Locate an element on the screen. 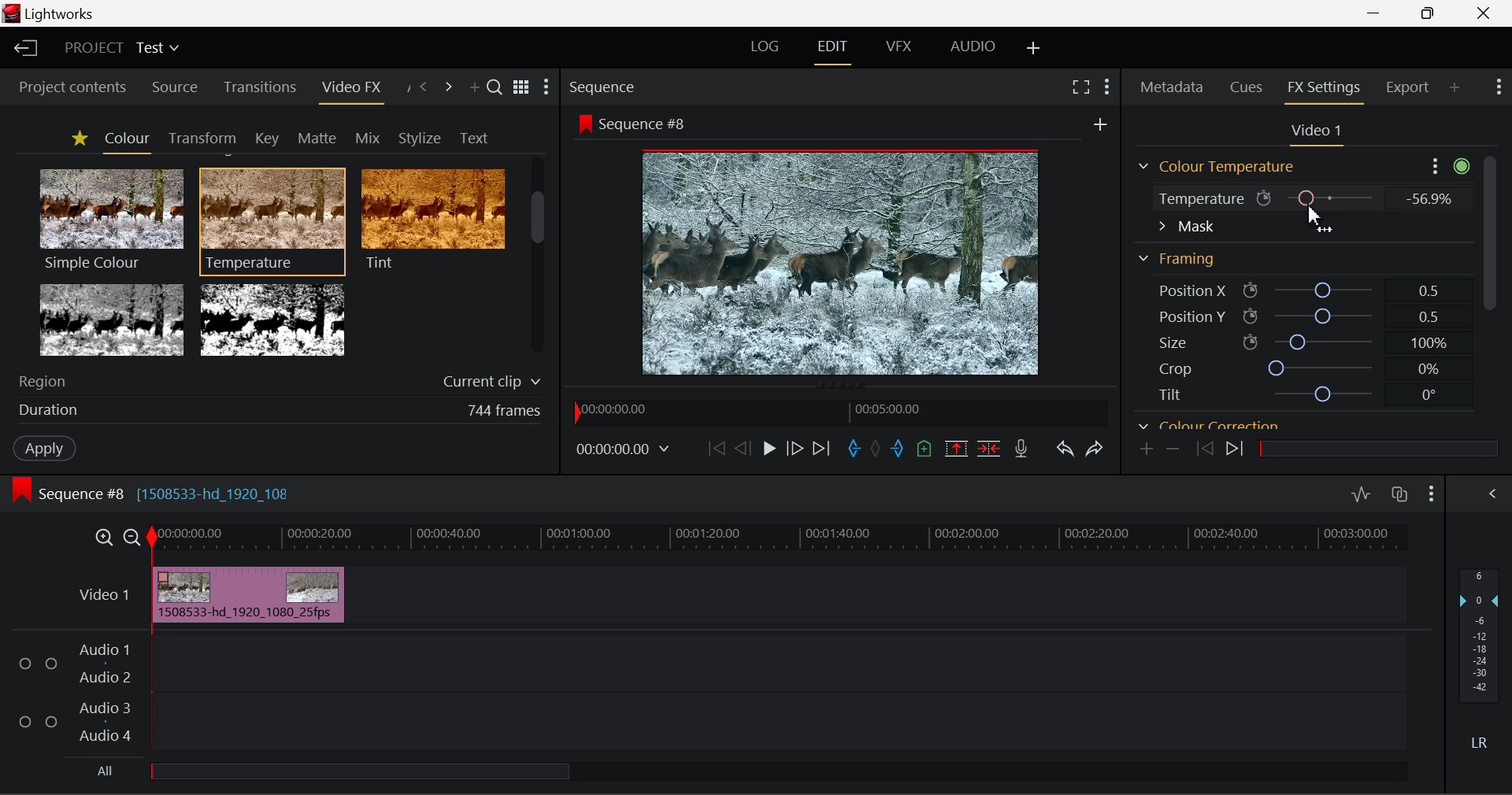 The image size is (1512, 795). Sequence #8 is located at coordinates (649, 125).